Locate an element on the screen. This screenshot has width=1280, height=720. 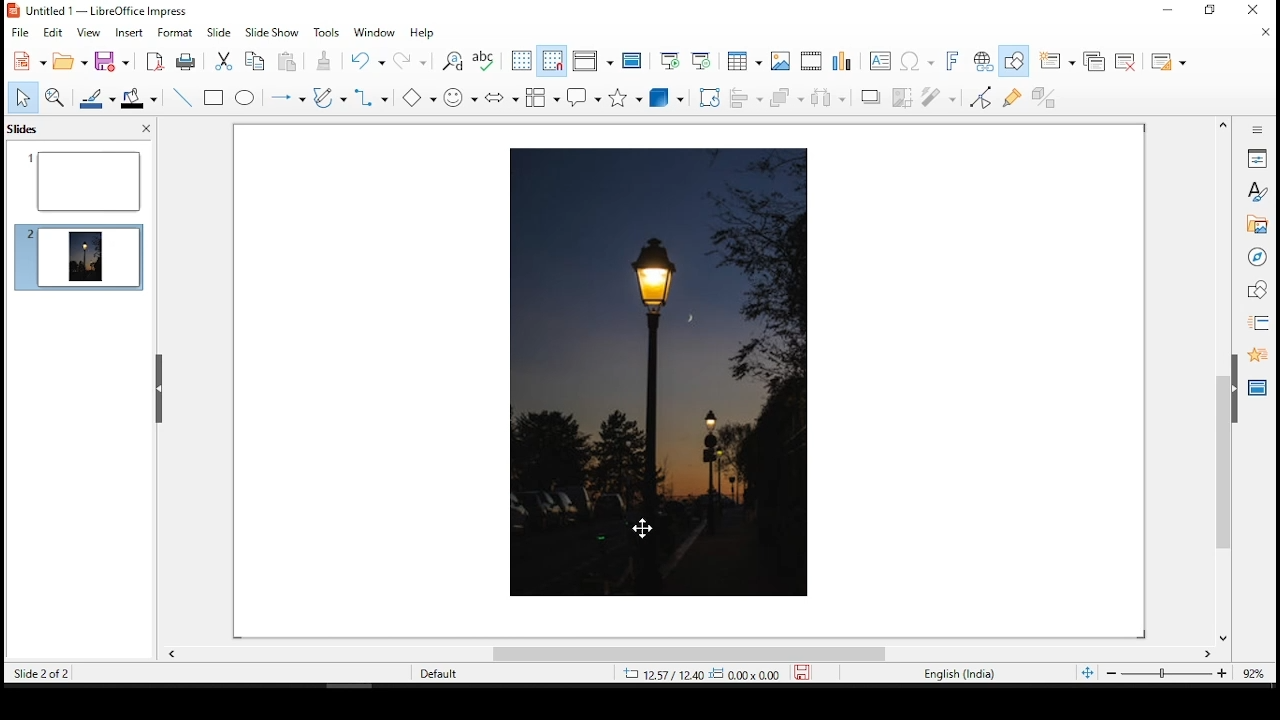
delete slide is located at coordinates (1126, 59).